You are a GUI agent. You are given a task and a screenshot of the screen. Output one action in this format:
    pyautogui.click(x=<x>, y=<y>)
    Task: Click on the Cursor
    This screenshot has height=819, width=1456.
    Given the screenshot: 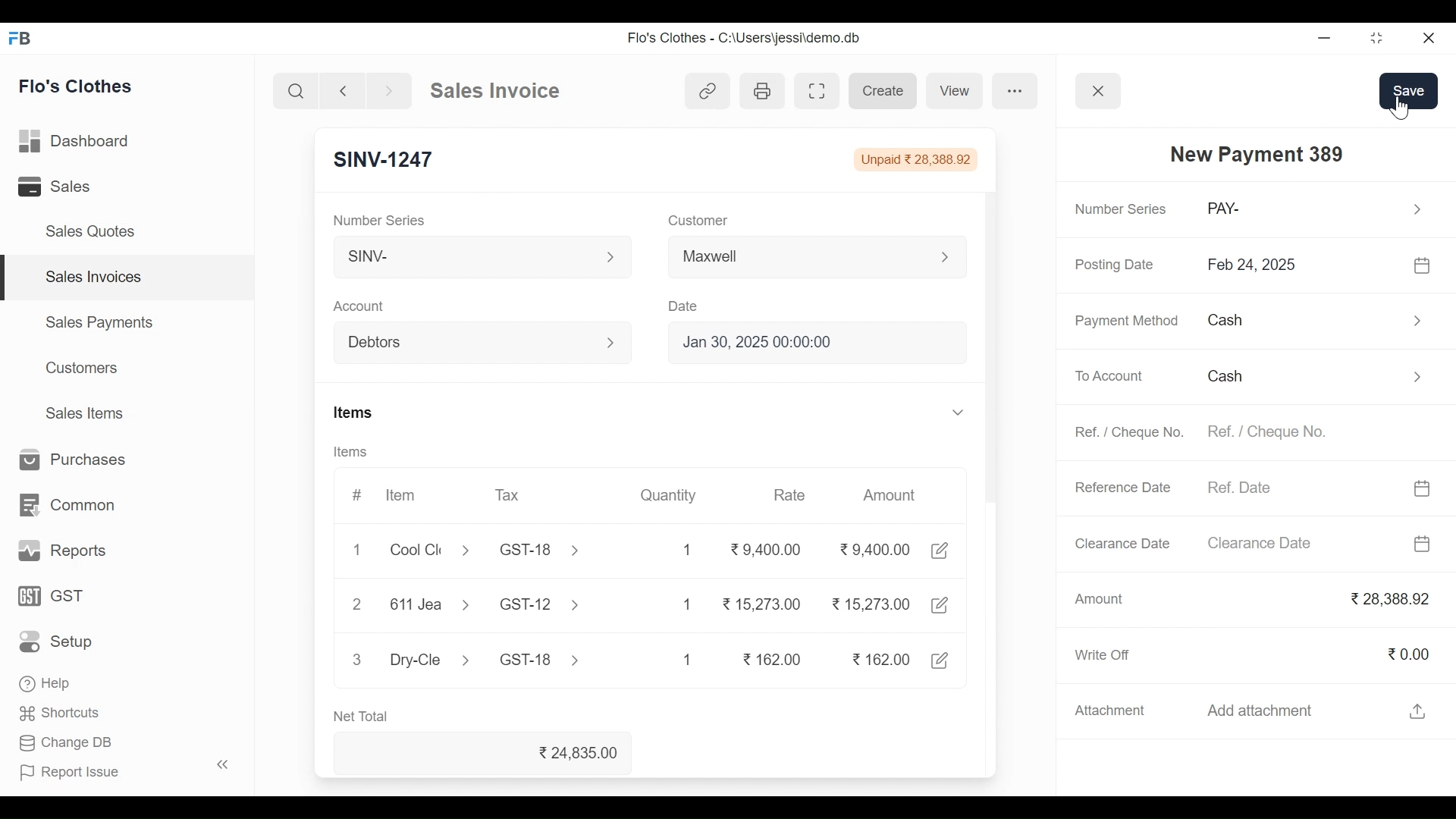 What is the action you would take?
    pyautogui.click(x=1398, y=108)
    